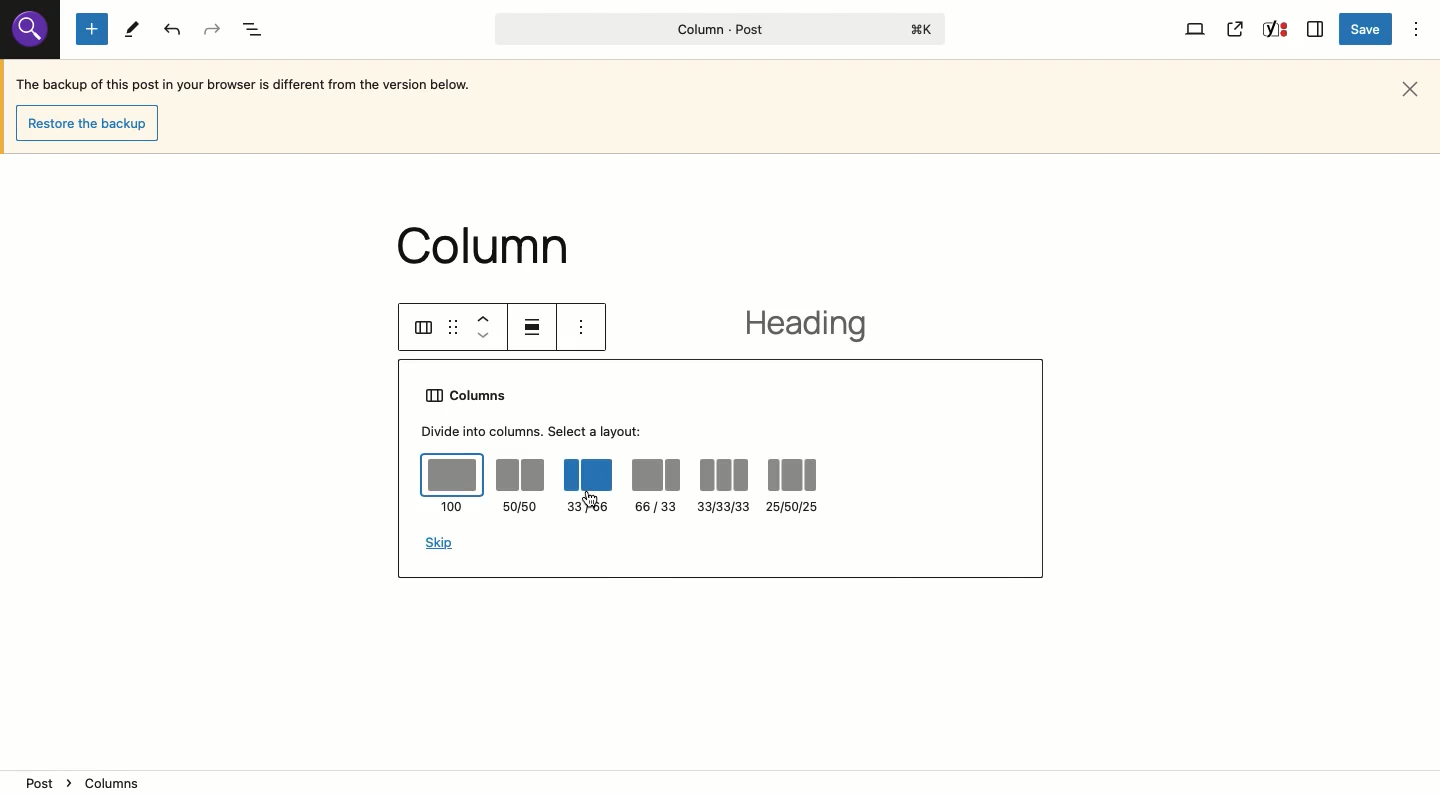  What do you see at coordinates (454, 327) in the screenshot?
I see `Drag` at bounding box center [454, 327].